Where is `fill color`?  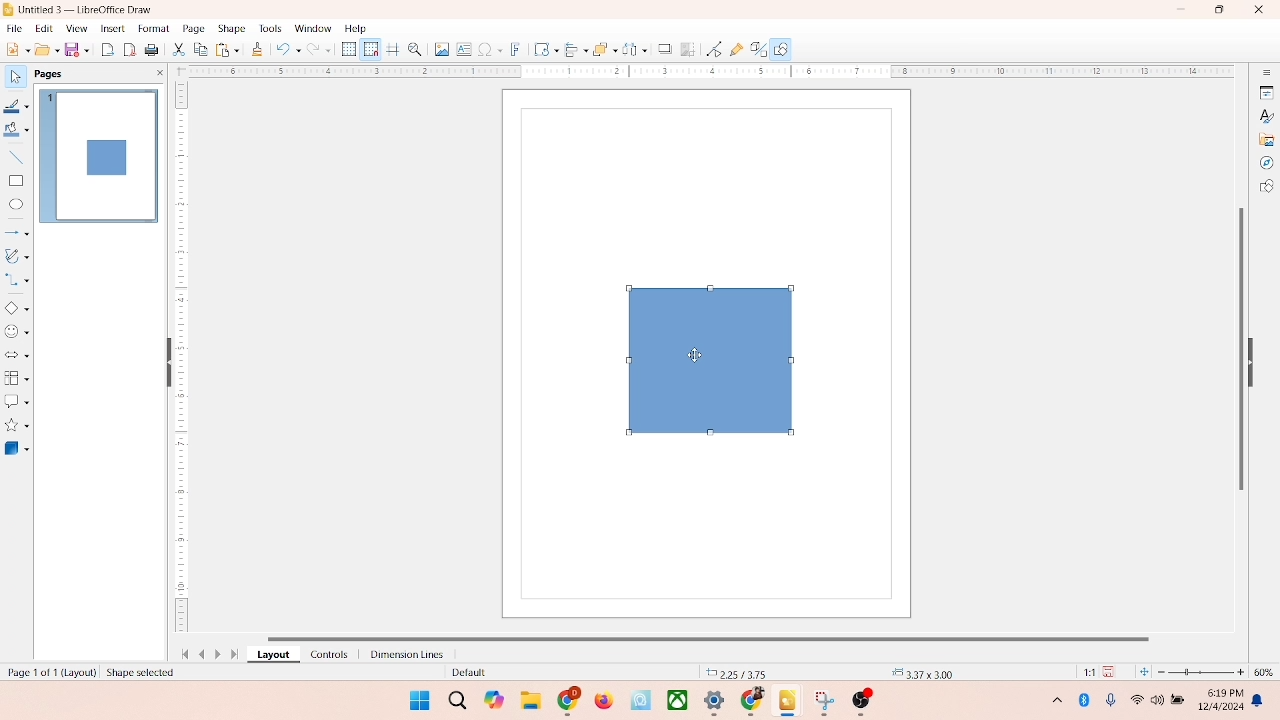
fill color is located at coordinates (16, 133).